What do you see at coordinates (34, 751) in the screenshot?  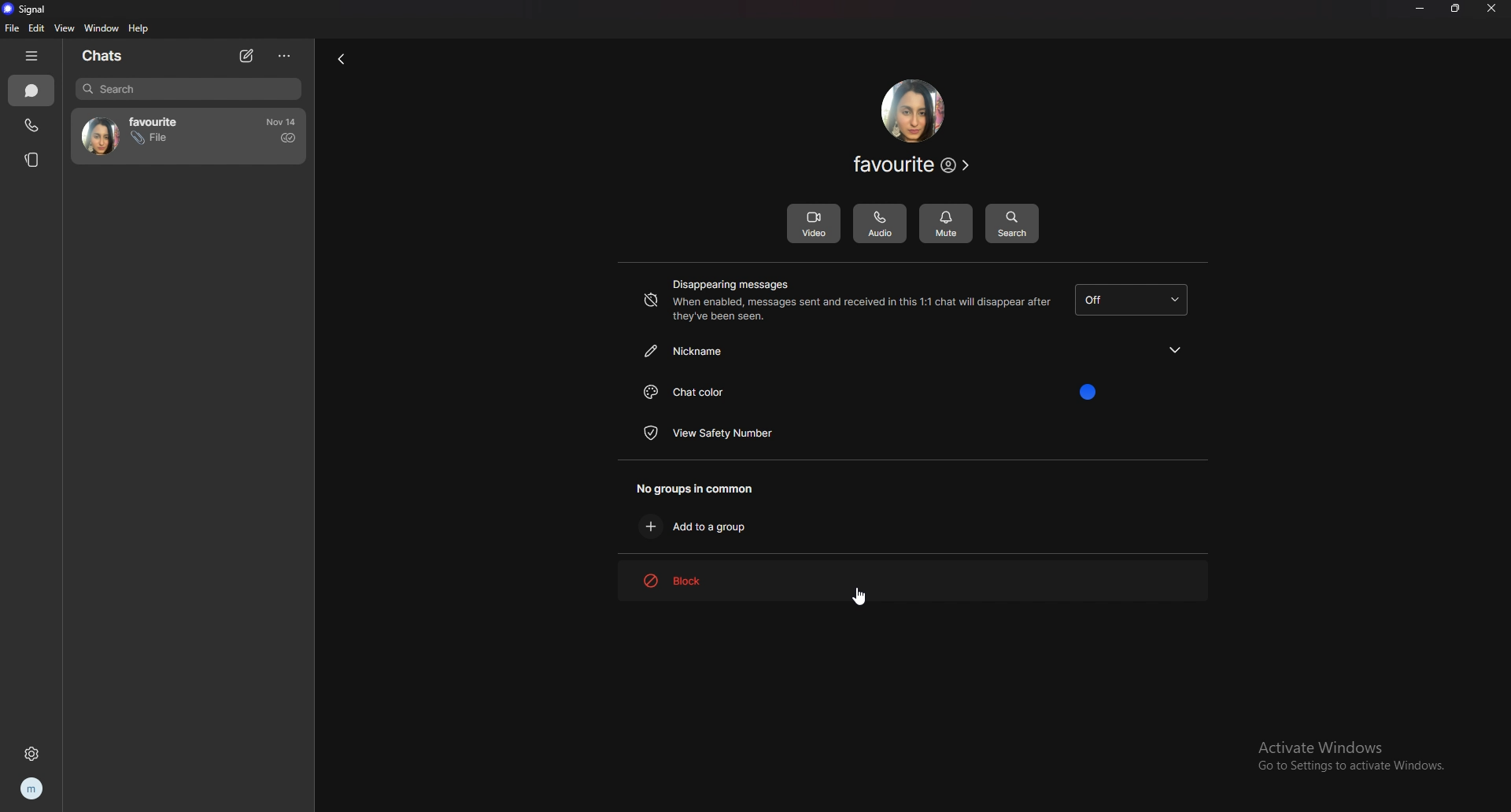 I see `settings` at bounding box center [34, 751].